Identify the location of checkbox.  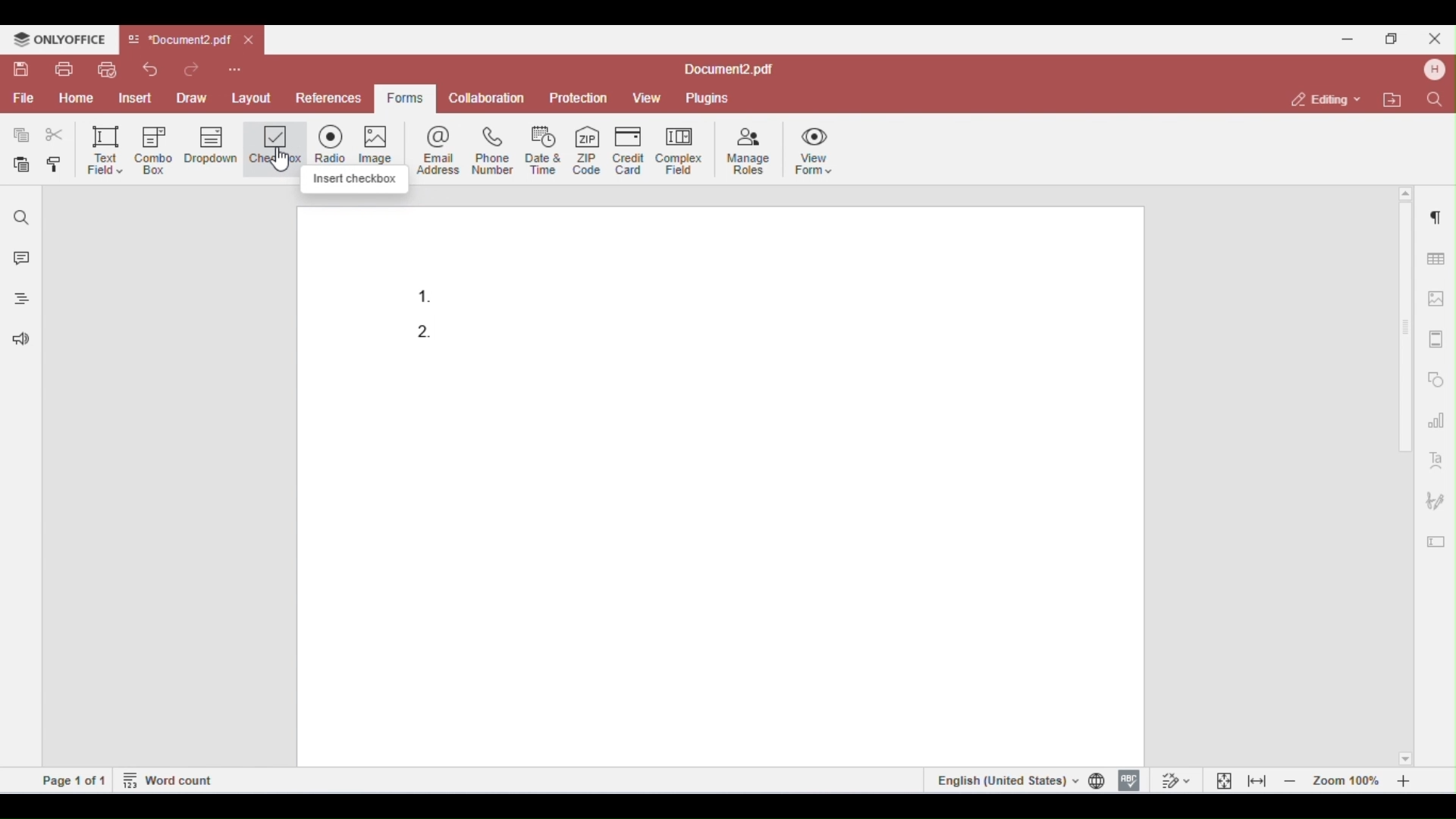
(276, 149).